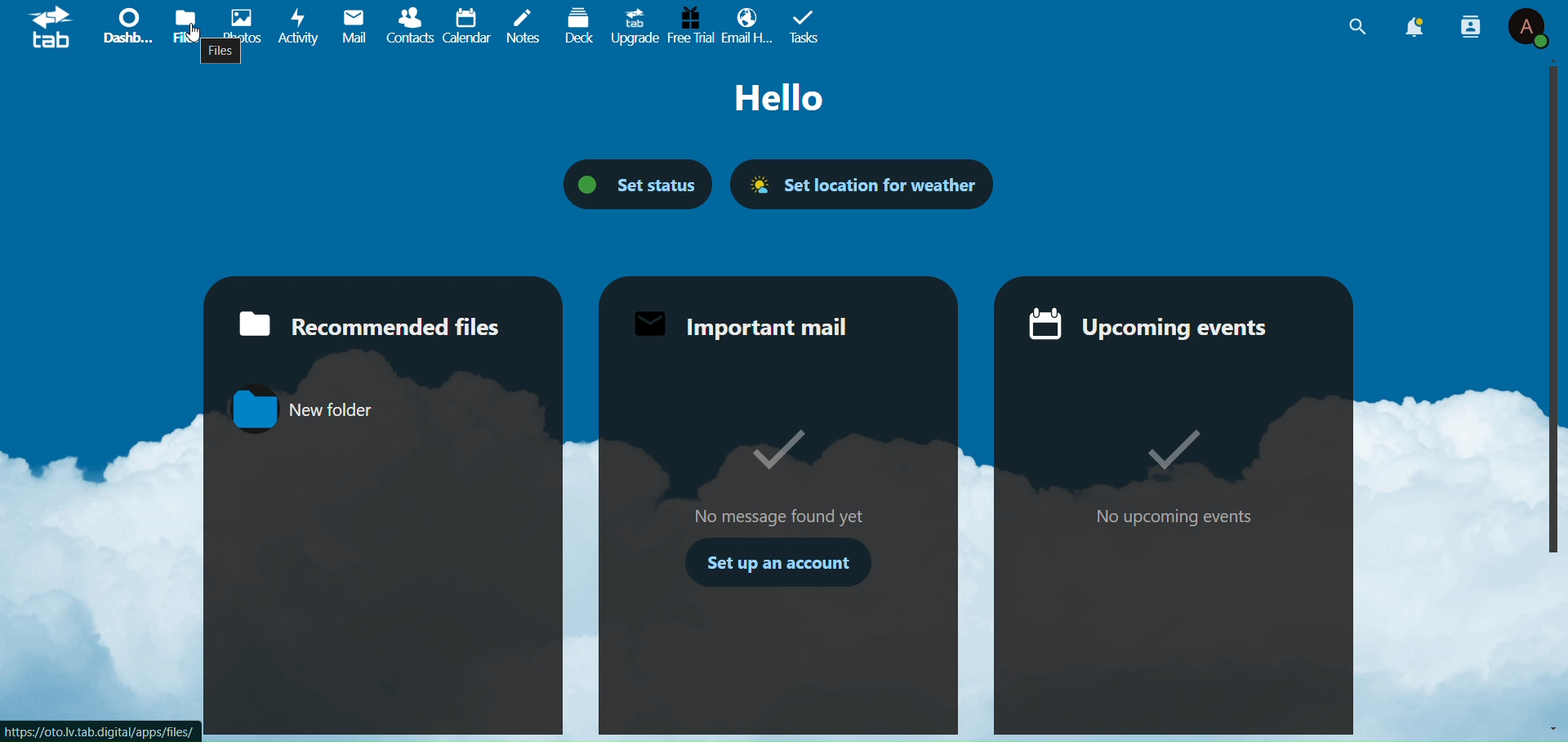  What do you see at coordinates (746, 27) in the screenshot?
I see `Email Hosting` at bounding box center [746, 27].